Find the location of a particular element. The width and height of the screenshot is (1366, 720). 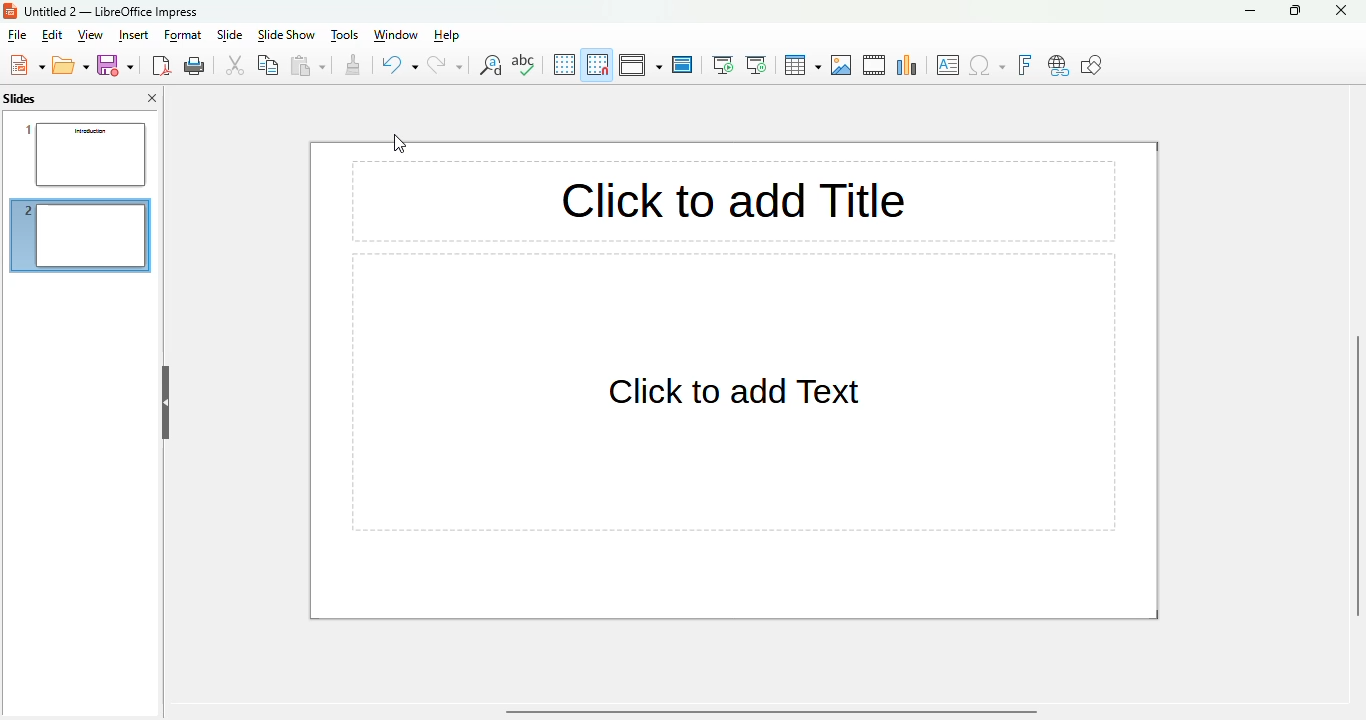

export directly as PDF is located at coordinates (161, 65).